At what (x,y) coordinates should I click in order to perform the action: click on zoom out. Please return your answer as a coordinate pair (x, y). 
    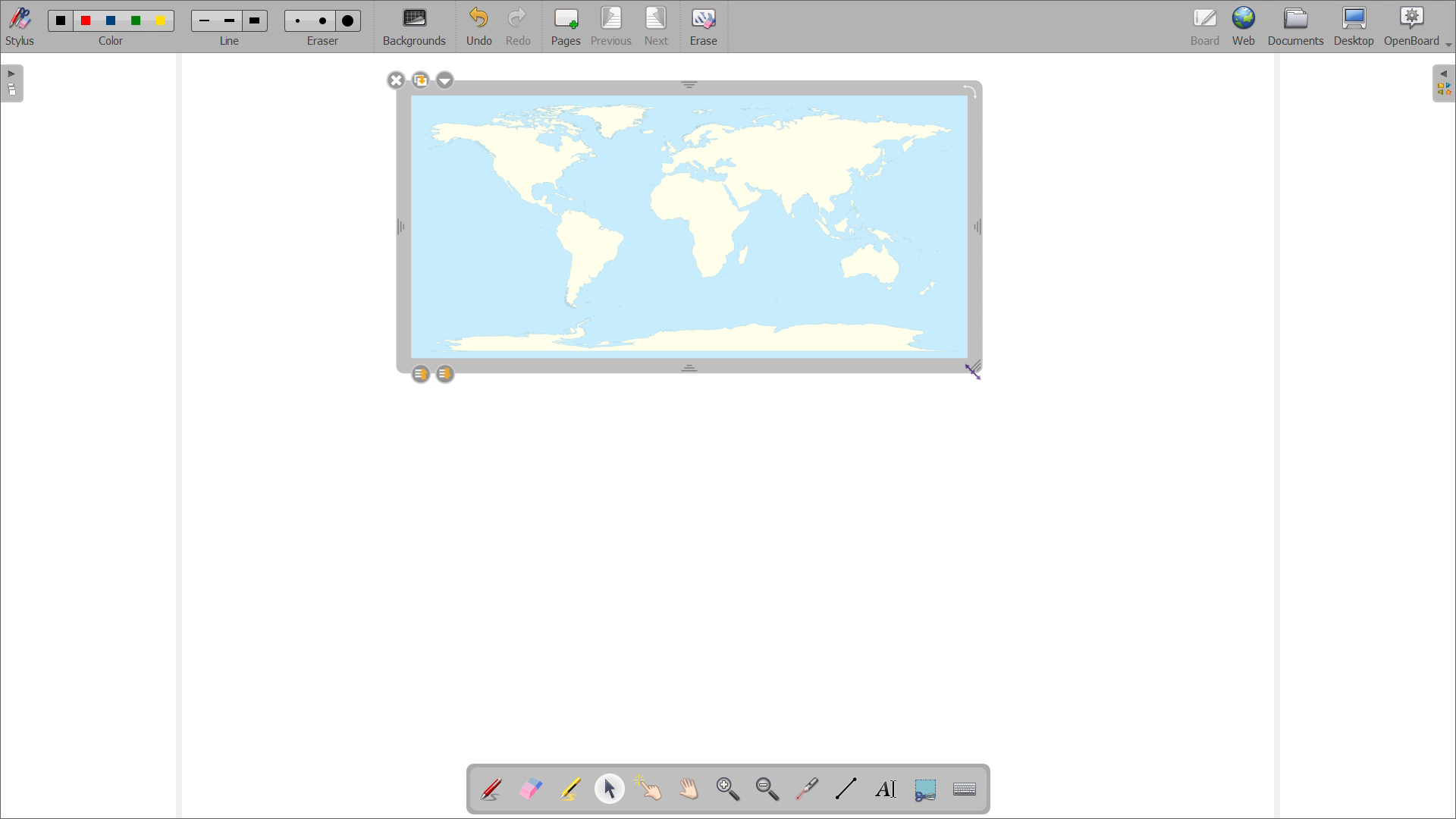
    Looking at the image, I should click on (767, 789).